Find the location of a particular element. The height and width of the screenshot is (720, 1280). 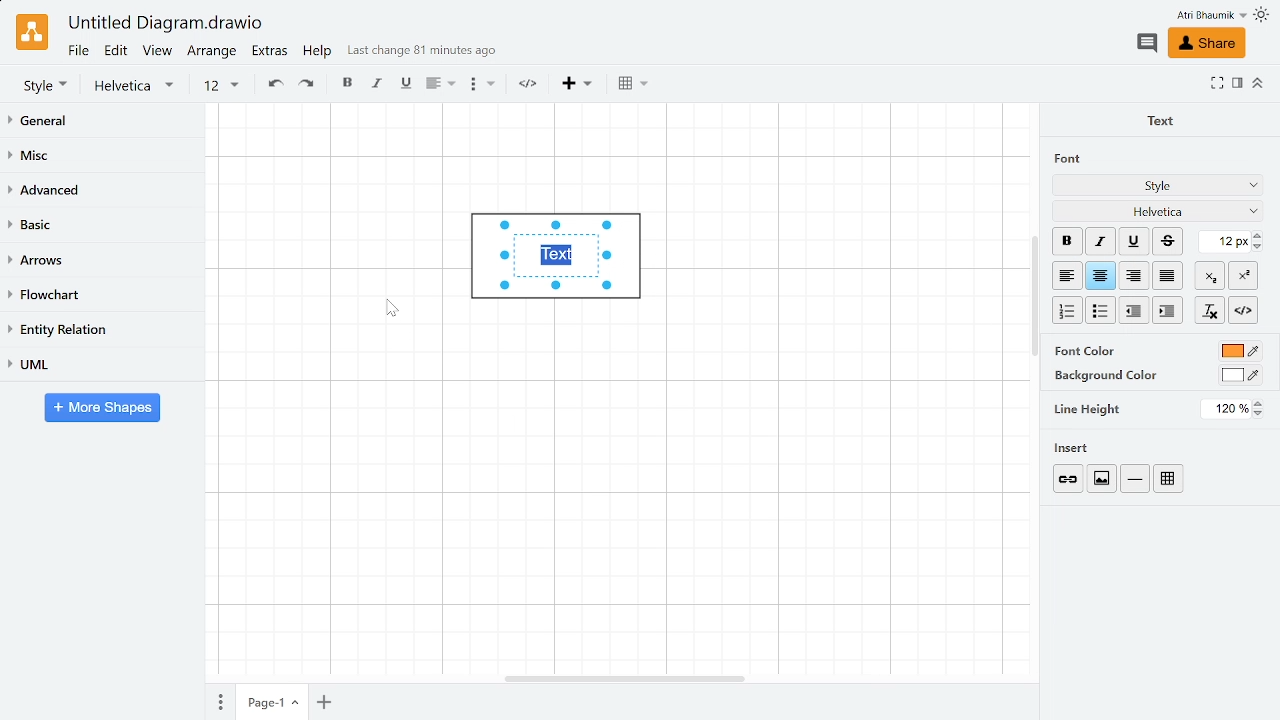

undo is located at coordinates (273, 85).